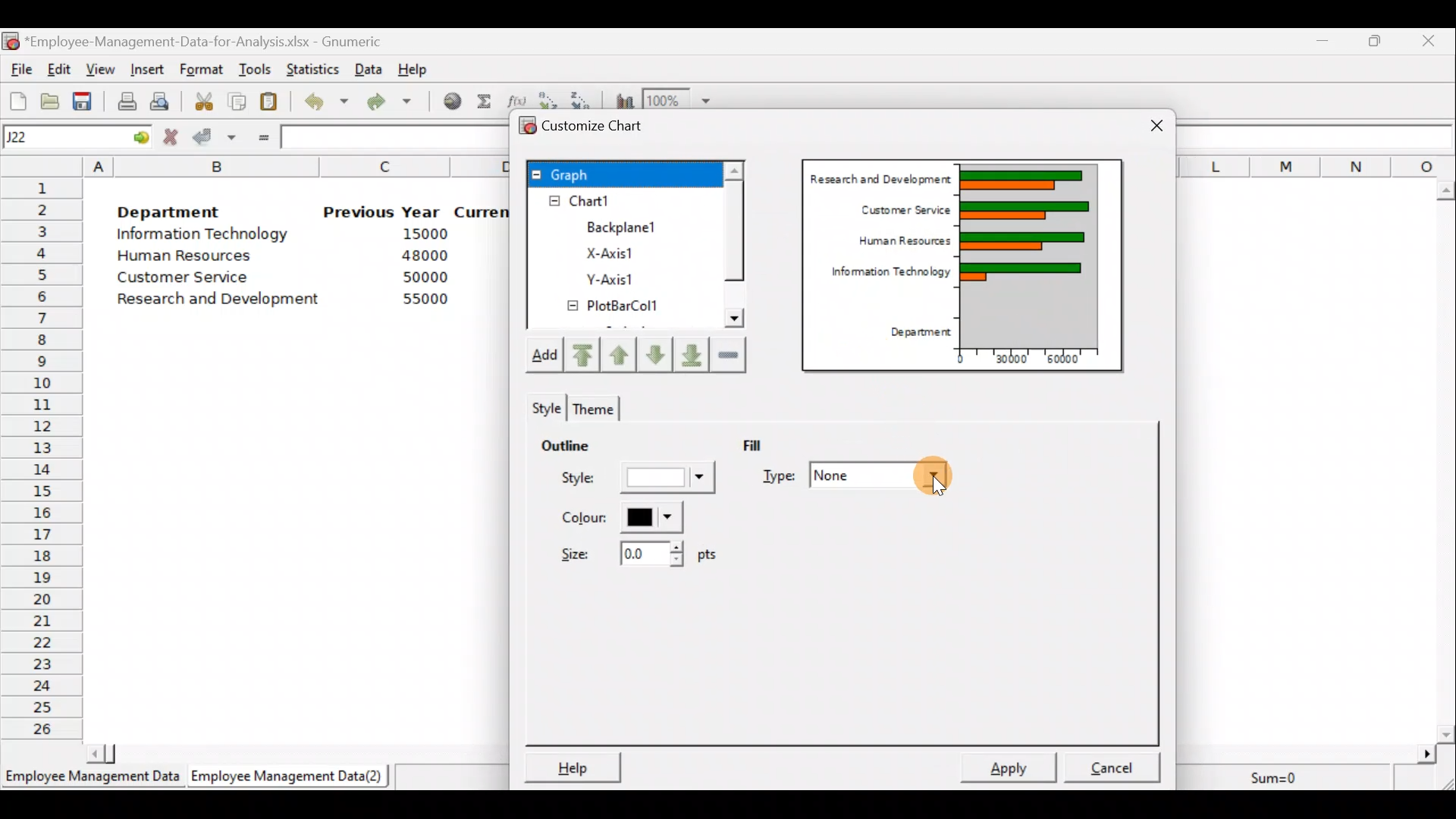  I want to click on X-axis1, so click(620, 251).